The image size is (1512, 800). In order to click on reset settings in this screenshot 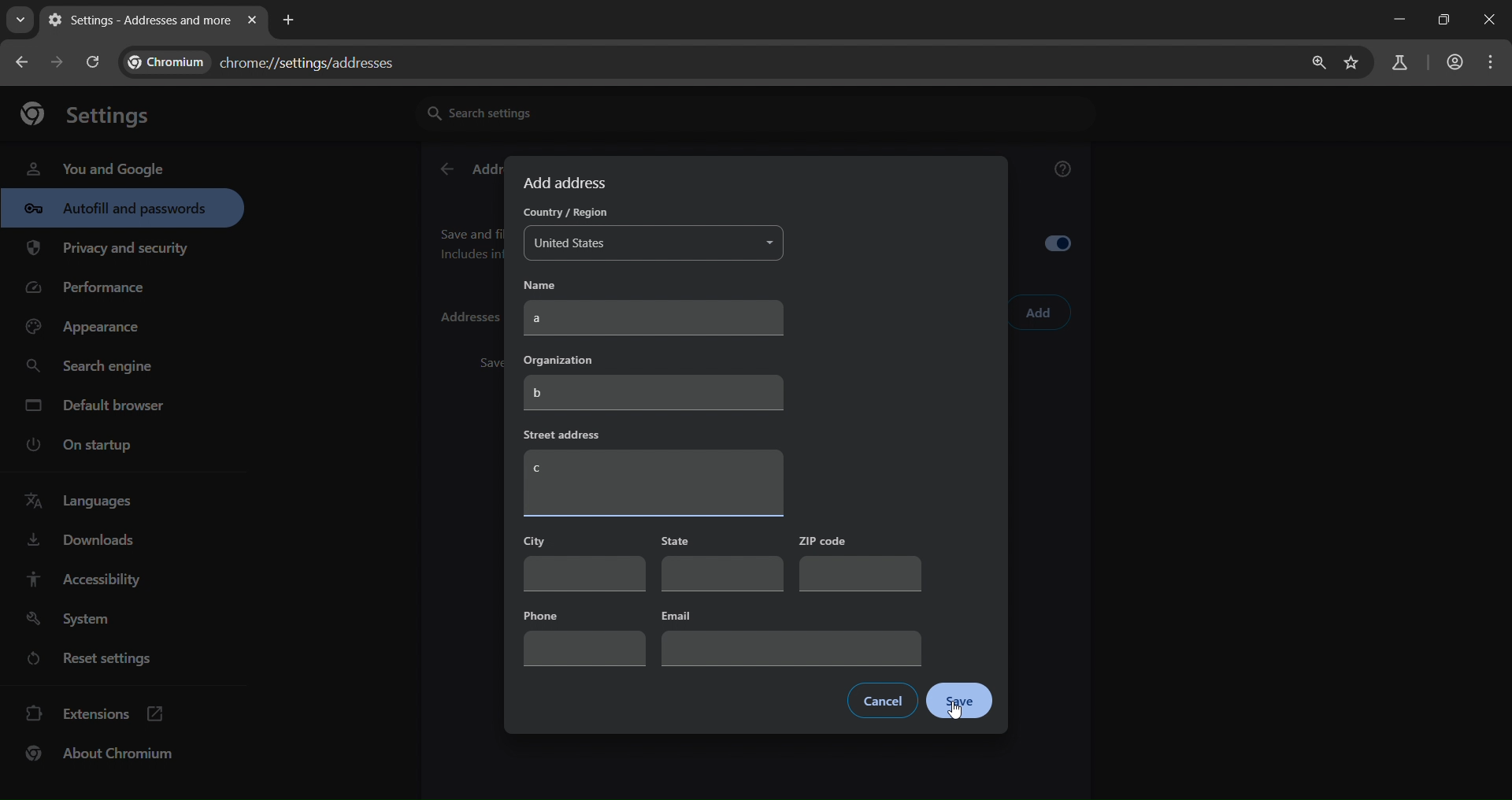, I will do `click(104, 661)`.